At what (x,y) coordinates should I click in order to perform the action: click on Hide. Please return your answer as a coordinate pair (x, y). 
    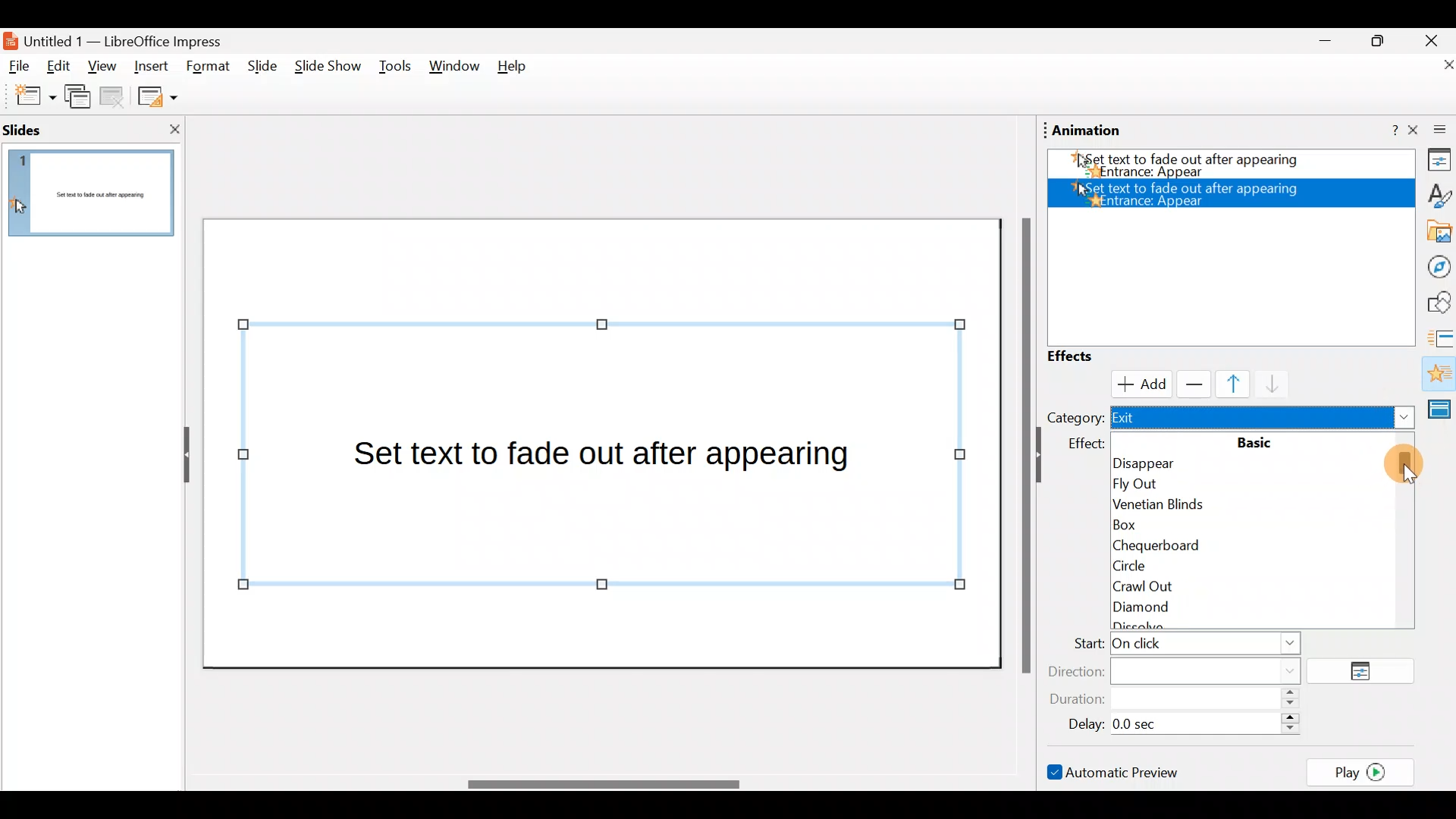
    Looking at the image, I should click on (180, 456).